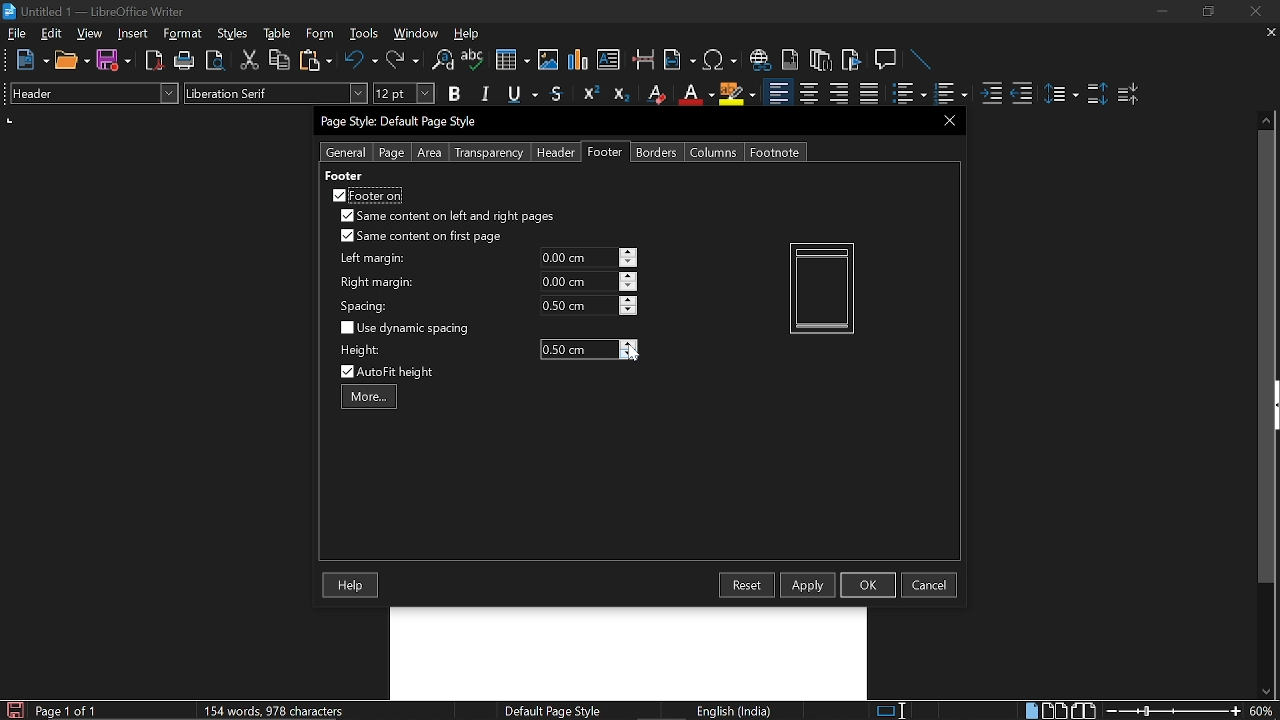  Describe the element at coordinates (352, 586) in the screenshot. I see `Help` at that location.